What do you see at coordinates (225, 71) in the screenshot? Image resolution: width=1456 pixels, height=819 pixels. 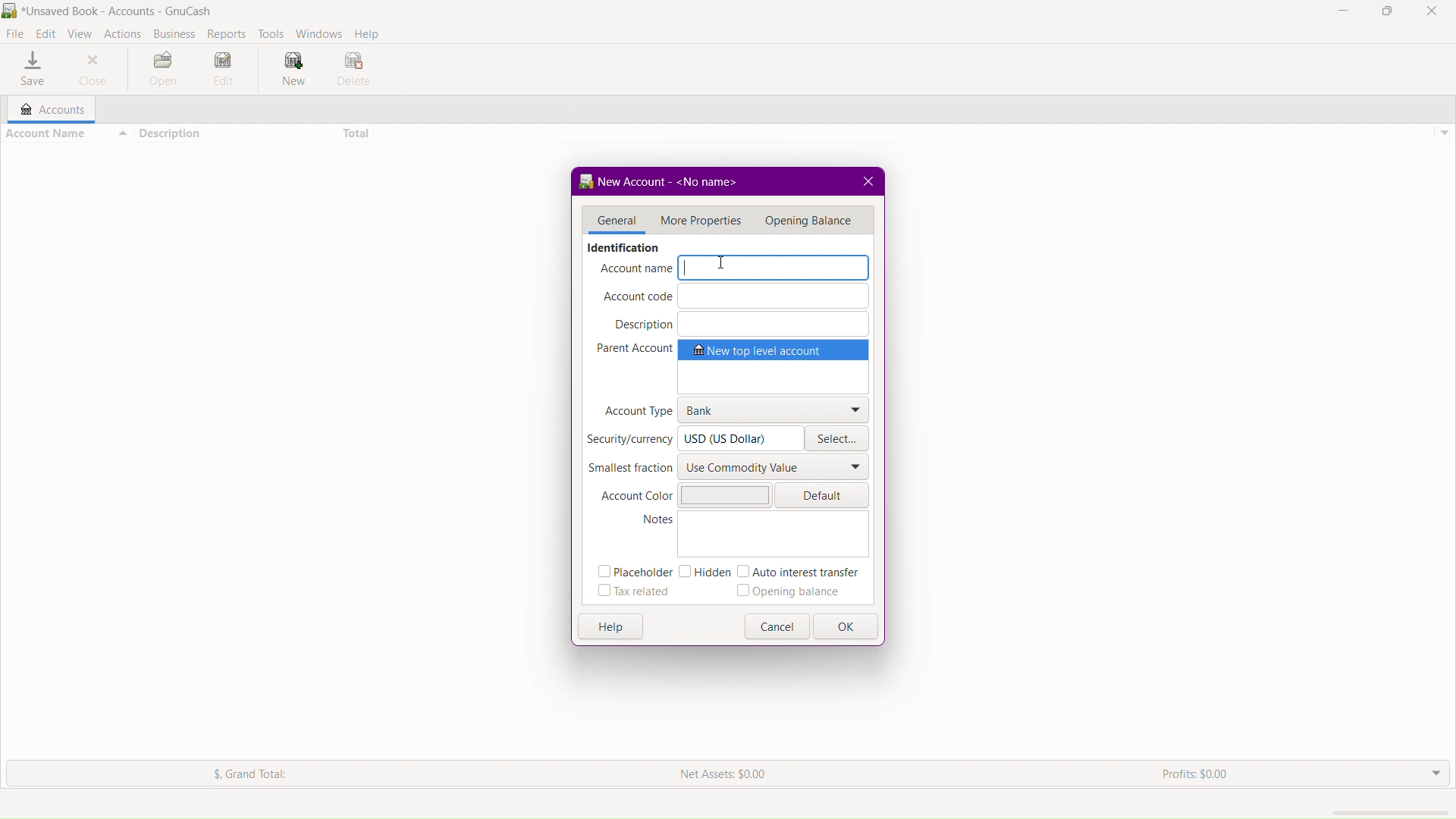 I see `Edit` at bounding box center [225, 71].